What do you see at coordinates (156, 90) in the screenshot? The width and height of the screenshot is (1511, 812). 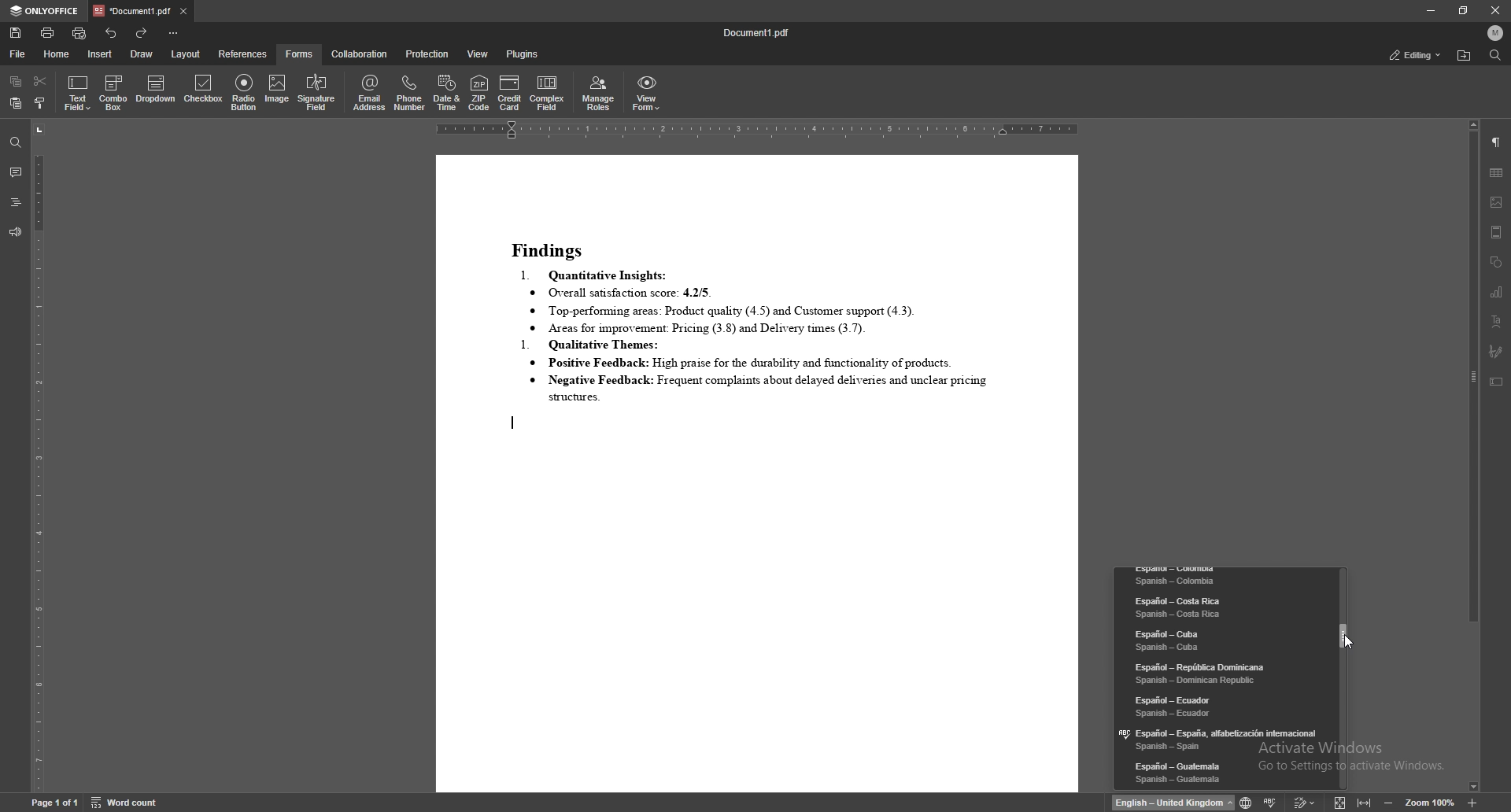 I see `dropdown` at bounding box center [156, 90].